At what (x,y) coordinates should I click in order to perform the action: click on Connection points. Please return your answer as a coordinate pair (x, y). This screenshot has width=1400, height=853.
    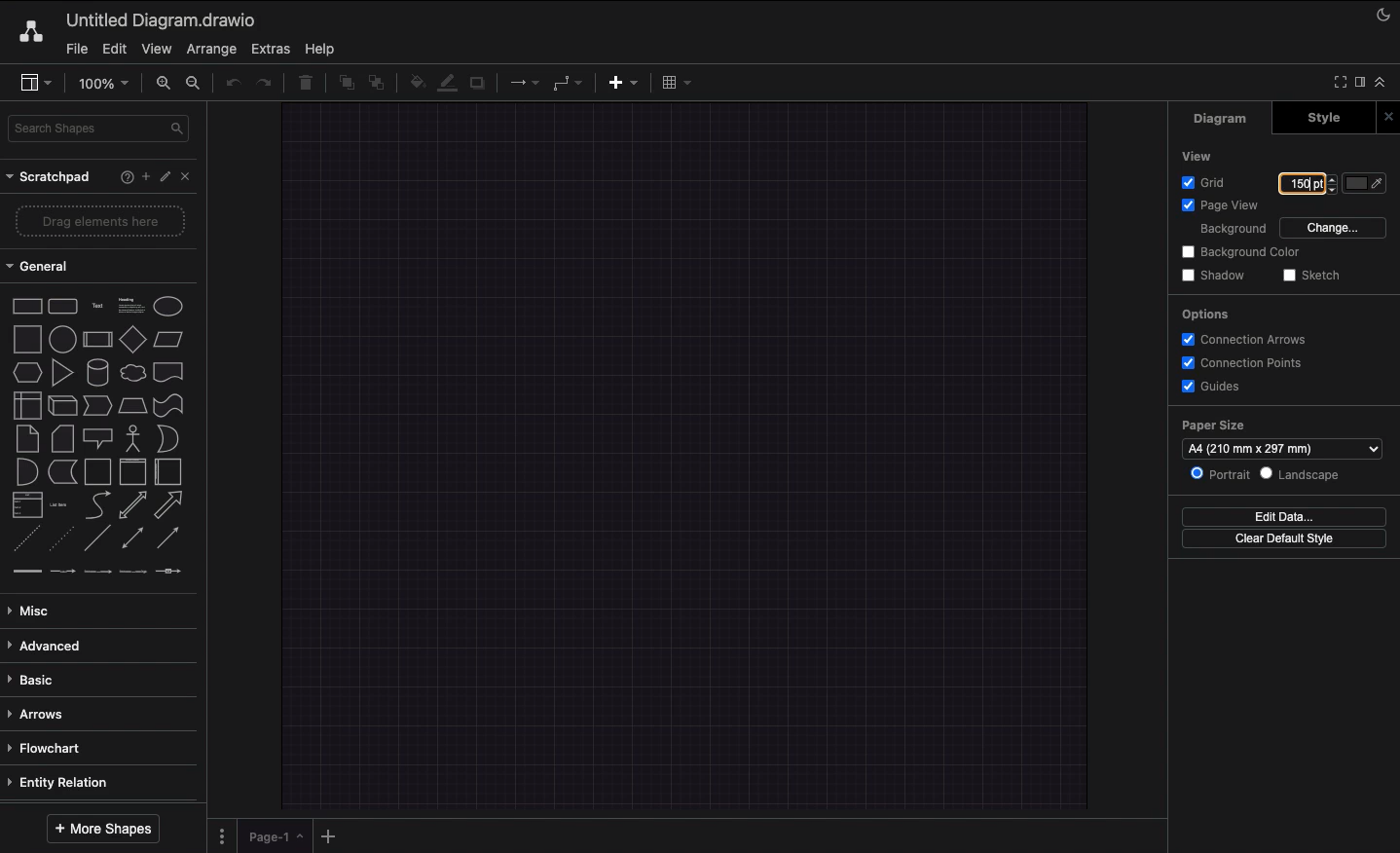
    Looking at the image, I should click on (1246, 362).